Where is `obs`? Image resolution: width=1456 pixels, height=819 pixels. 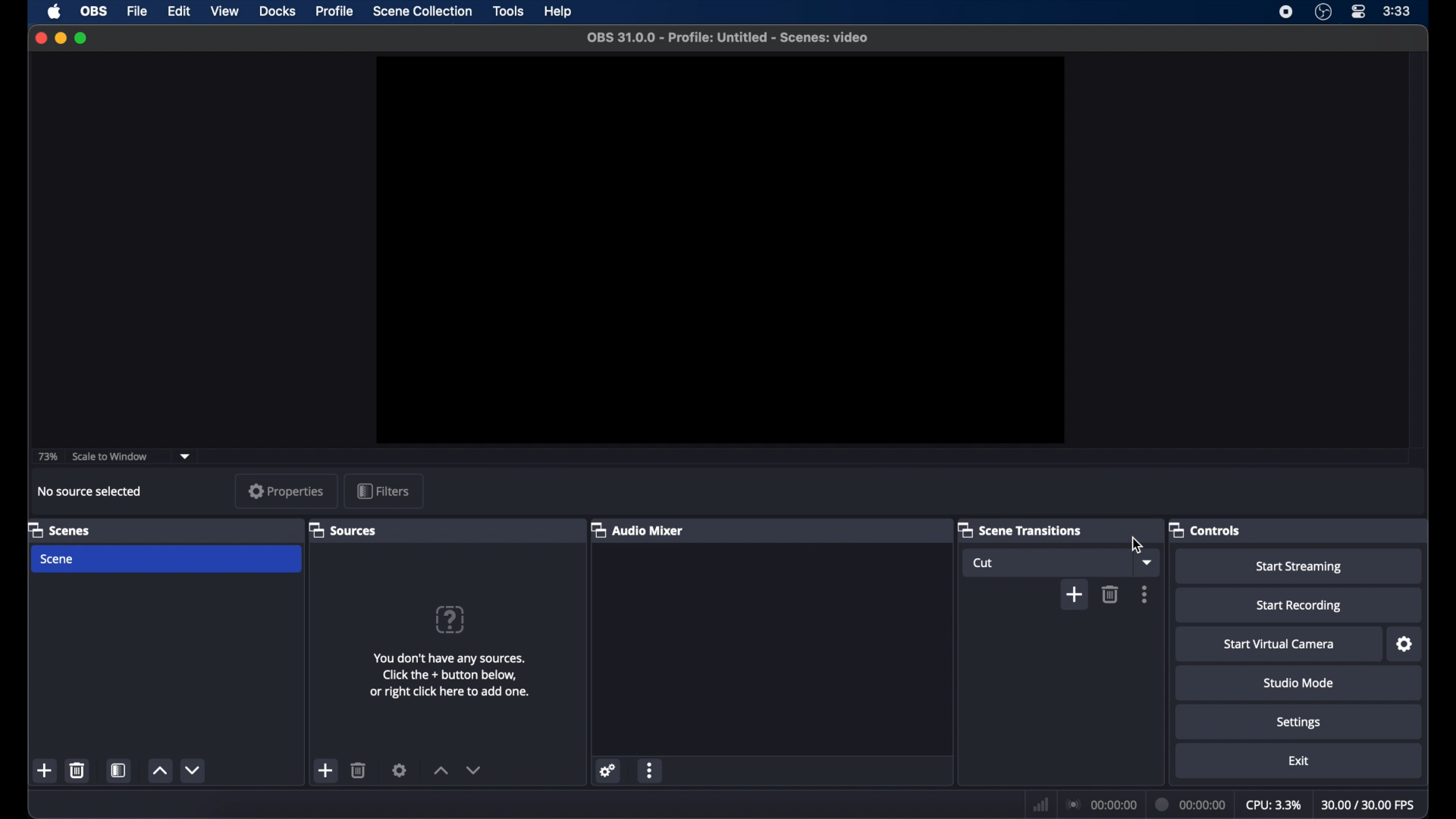
obs is located at coordinates (95, 11).